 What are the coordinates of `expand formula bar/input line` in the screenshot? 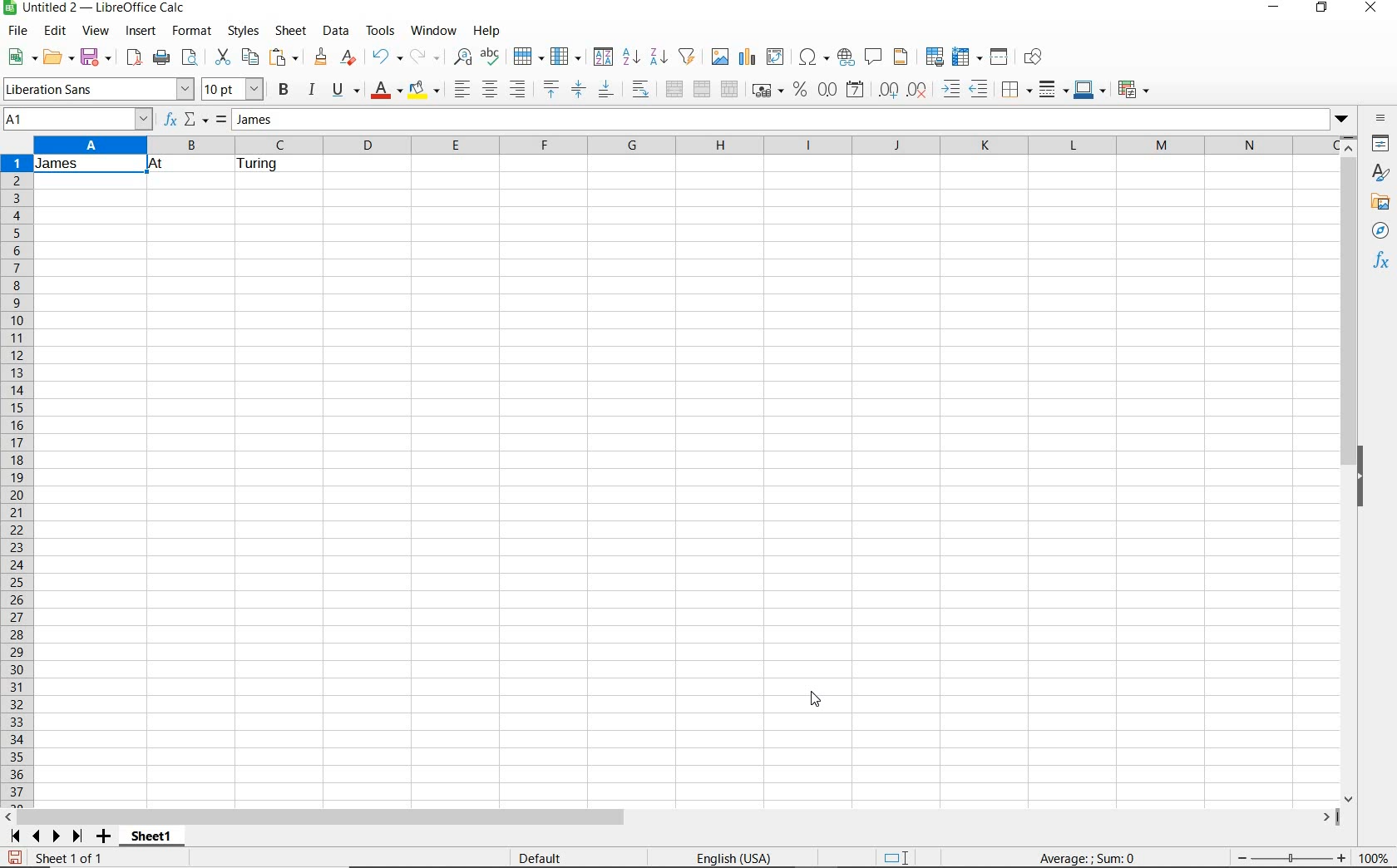 It's located at (776, 121).